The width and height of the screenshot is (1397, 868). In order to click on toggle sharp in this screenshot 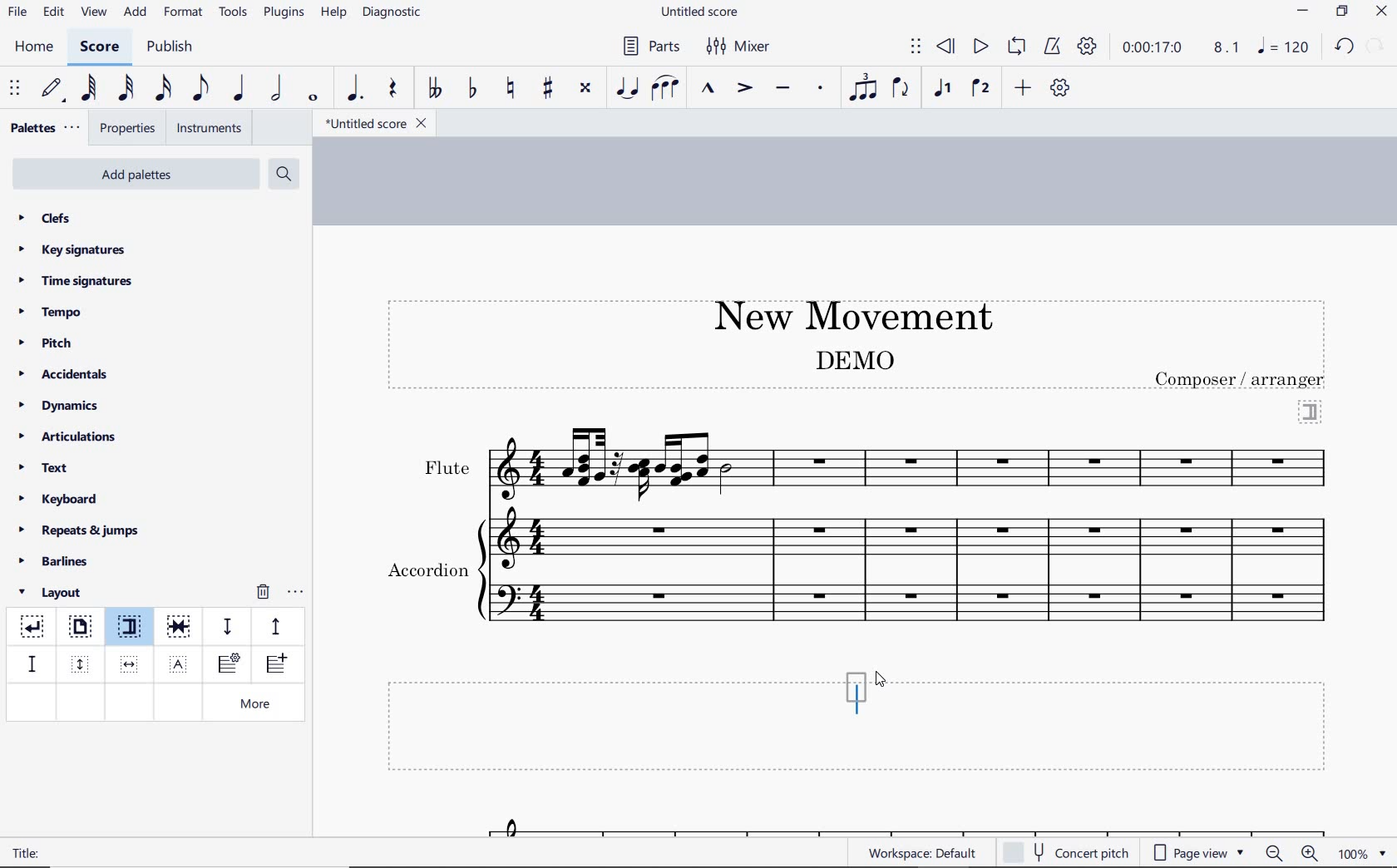, I will do `click(550, 89)`.